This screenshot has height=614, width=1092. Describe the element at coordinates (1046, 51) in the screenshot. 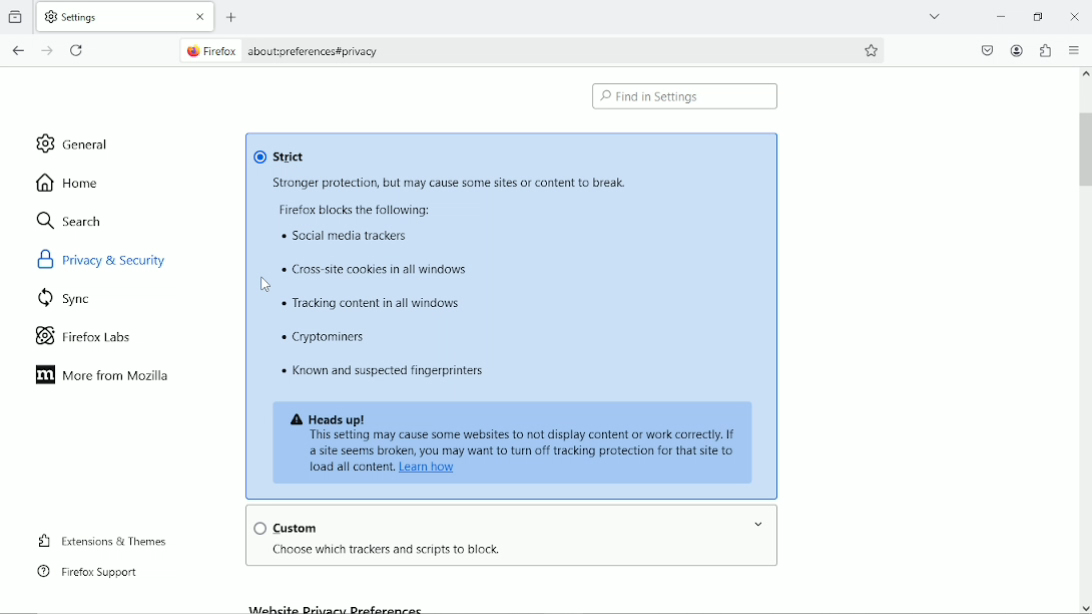

I see `extensions` at that location.